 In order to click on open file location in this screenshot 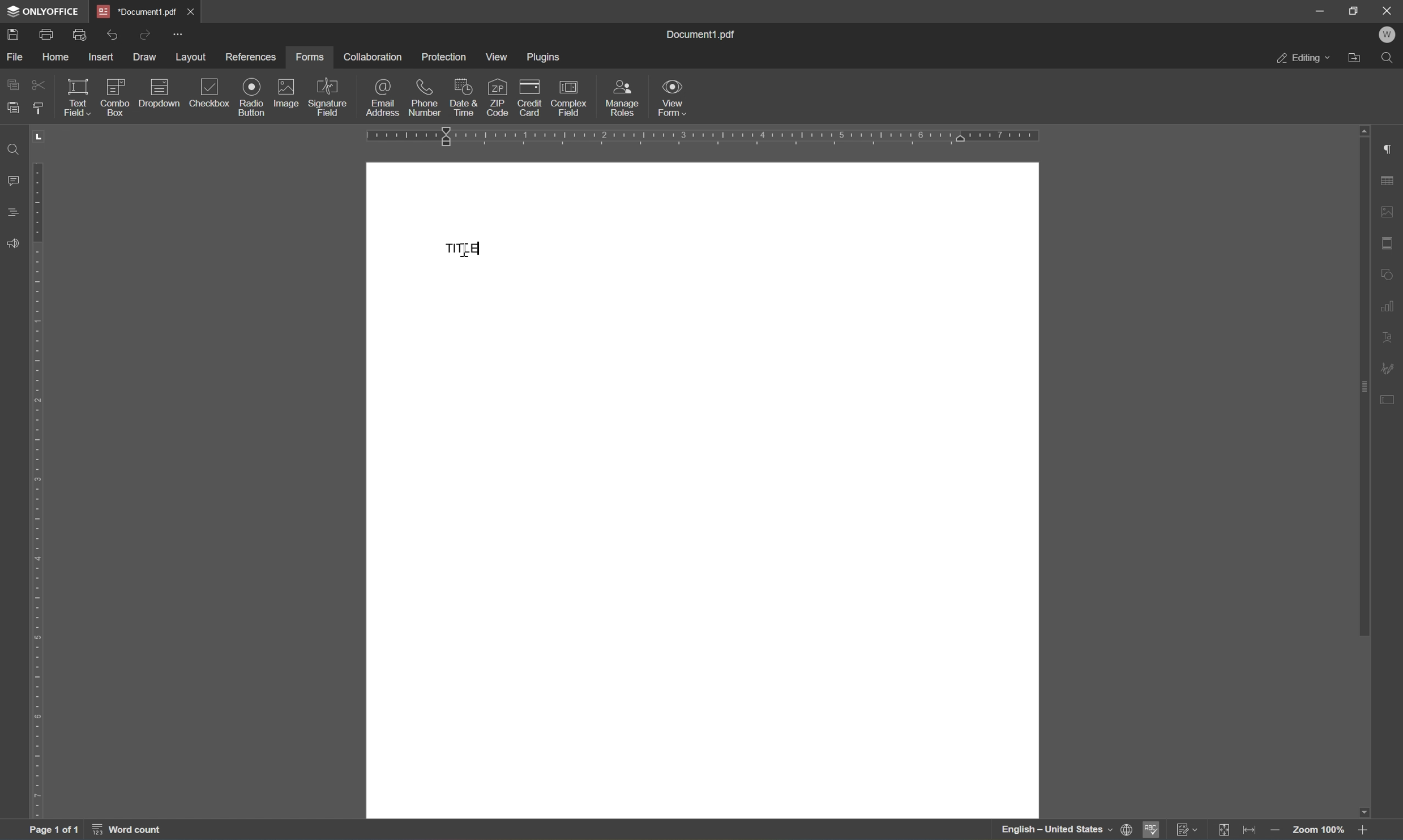, I will do `click(1354, 58)`.